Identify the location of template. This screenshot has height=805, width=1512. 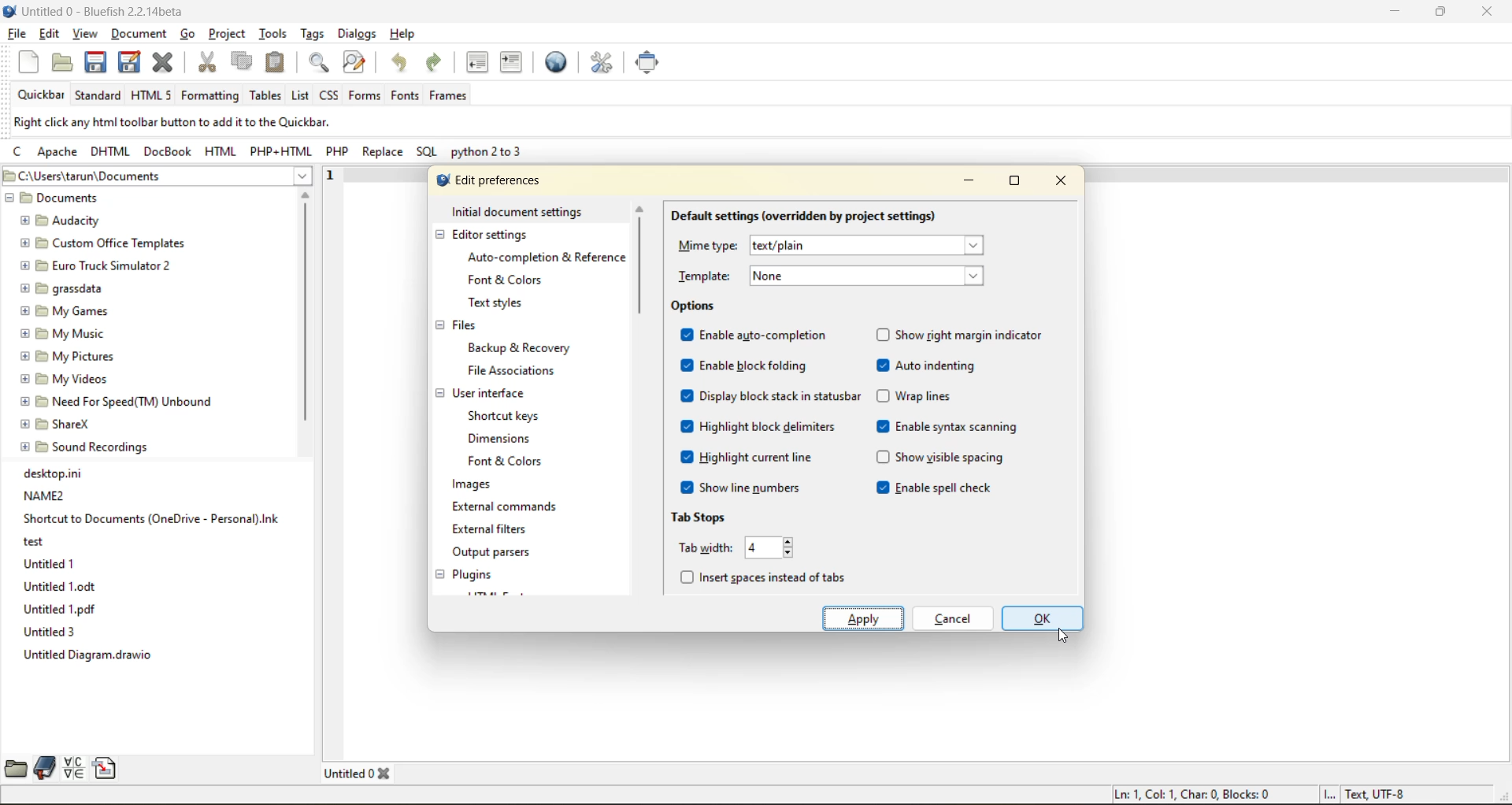
(834, 276).